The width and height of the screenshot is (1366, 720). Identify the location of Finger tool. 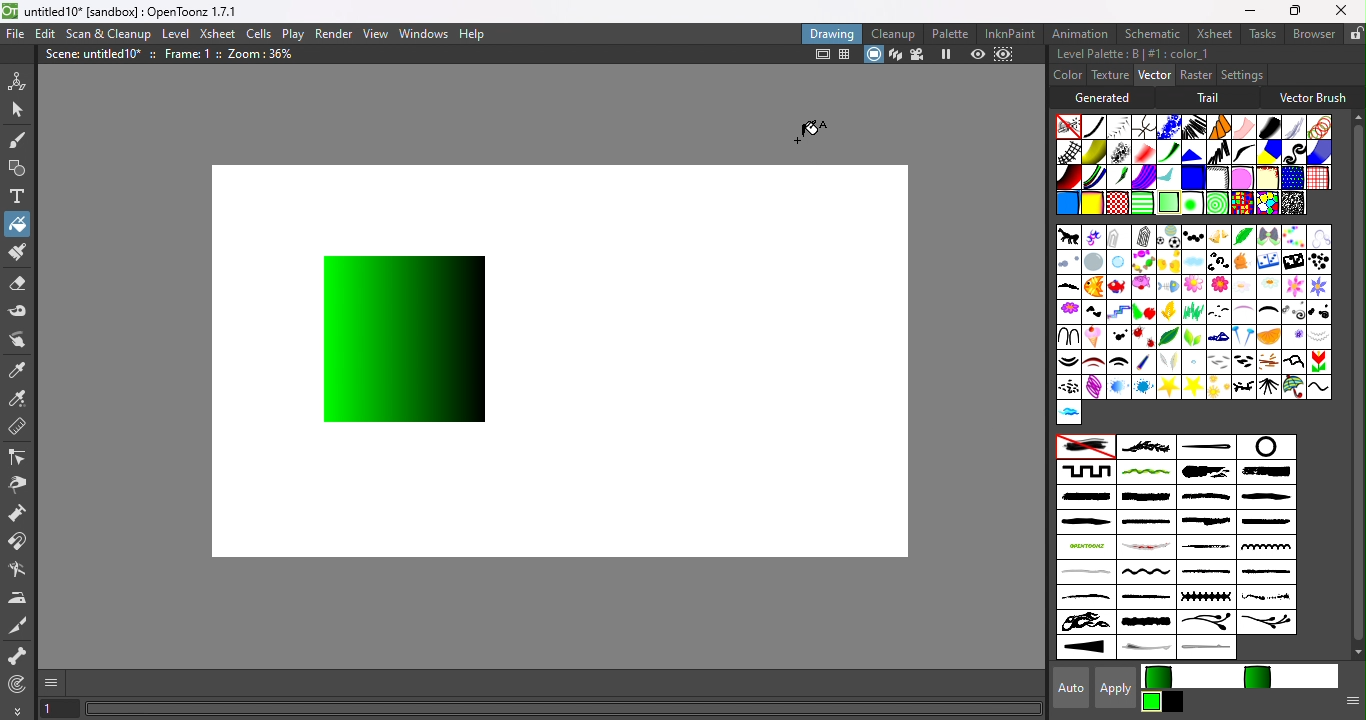
(22, 341).